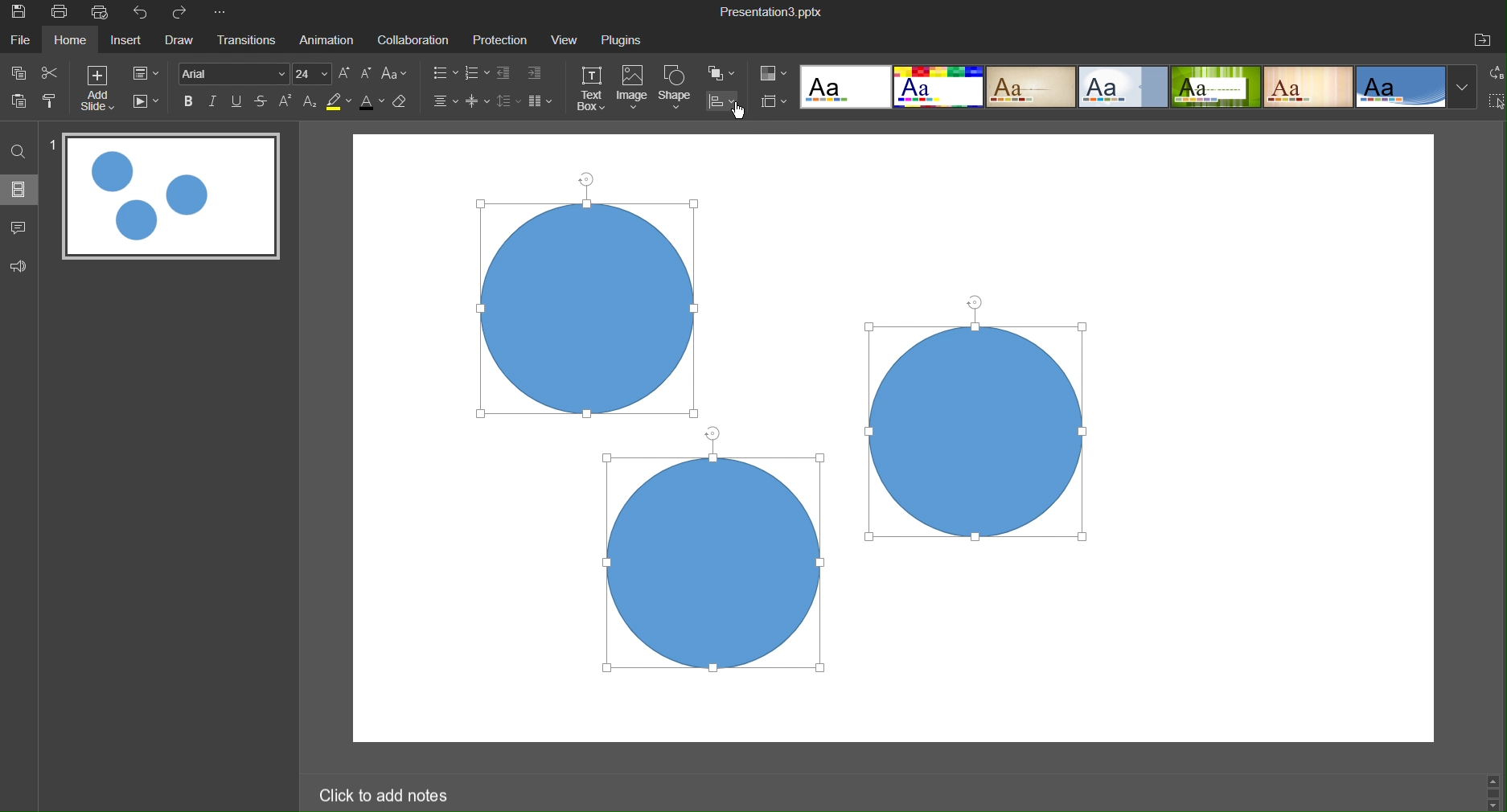 The image size is (1507, 812). What do you see at coordinates (75, 41) in the screenshot?
I see `Home` at bounding box center [75, 41].